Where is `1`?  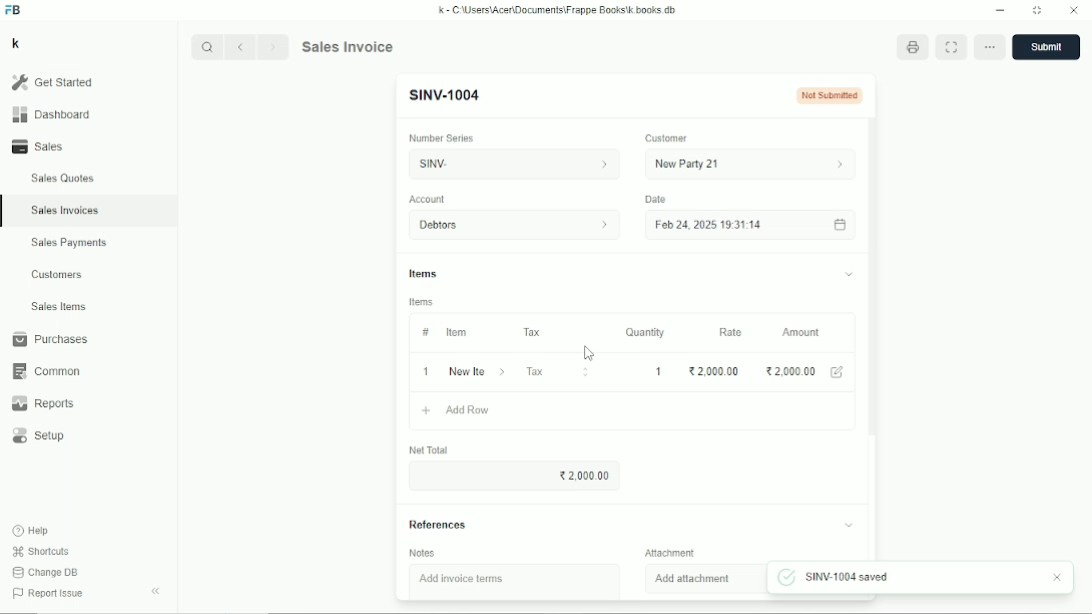 1 is located at coordinates (426, 371).